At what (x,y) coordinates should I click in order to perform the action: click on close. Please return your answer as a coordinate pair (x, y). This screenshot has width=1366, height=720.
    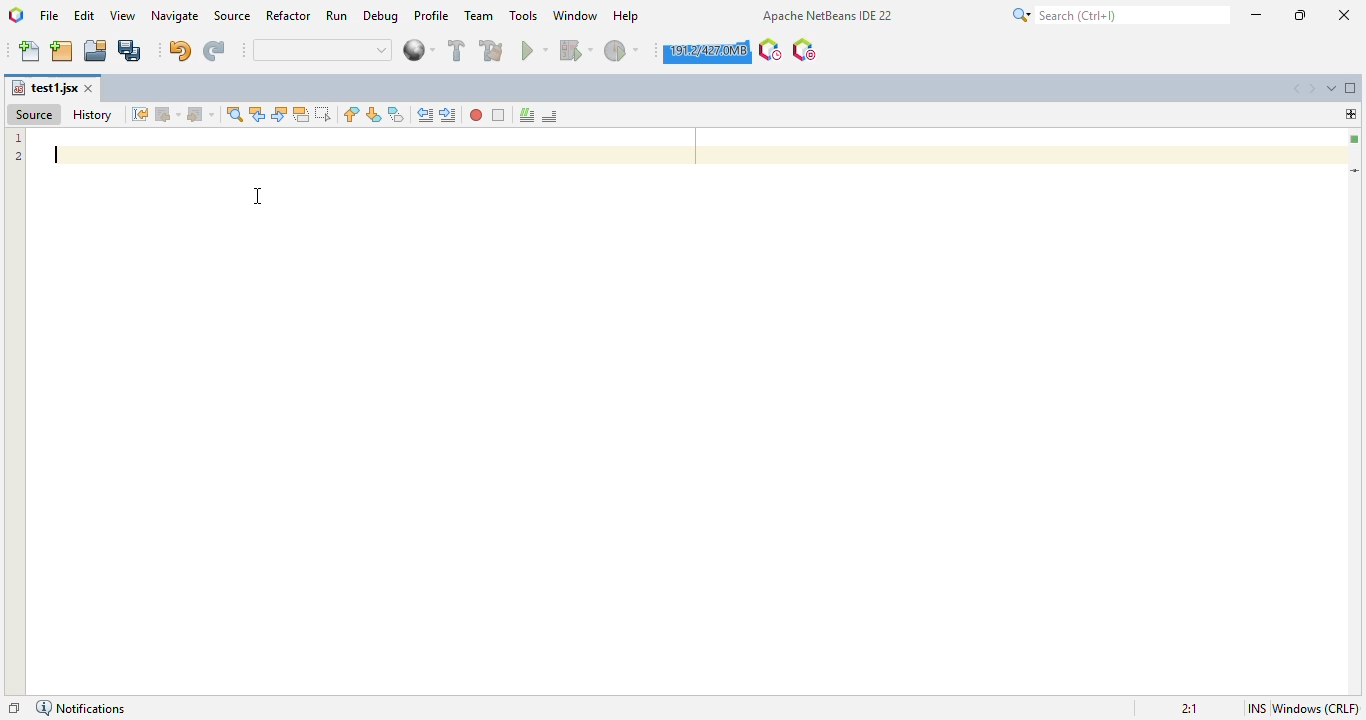
    Looking at the image, I should click on (89, 88).